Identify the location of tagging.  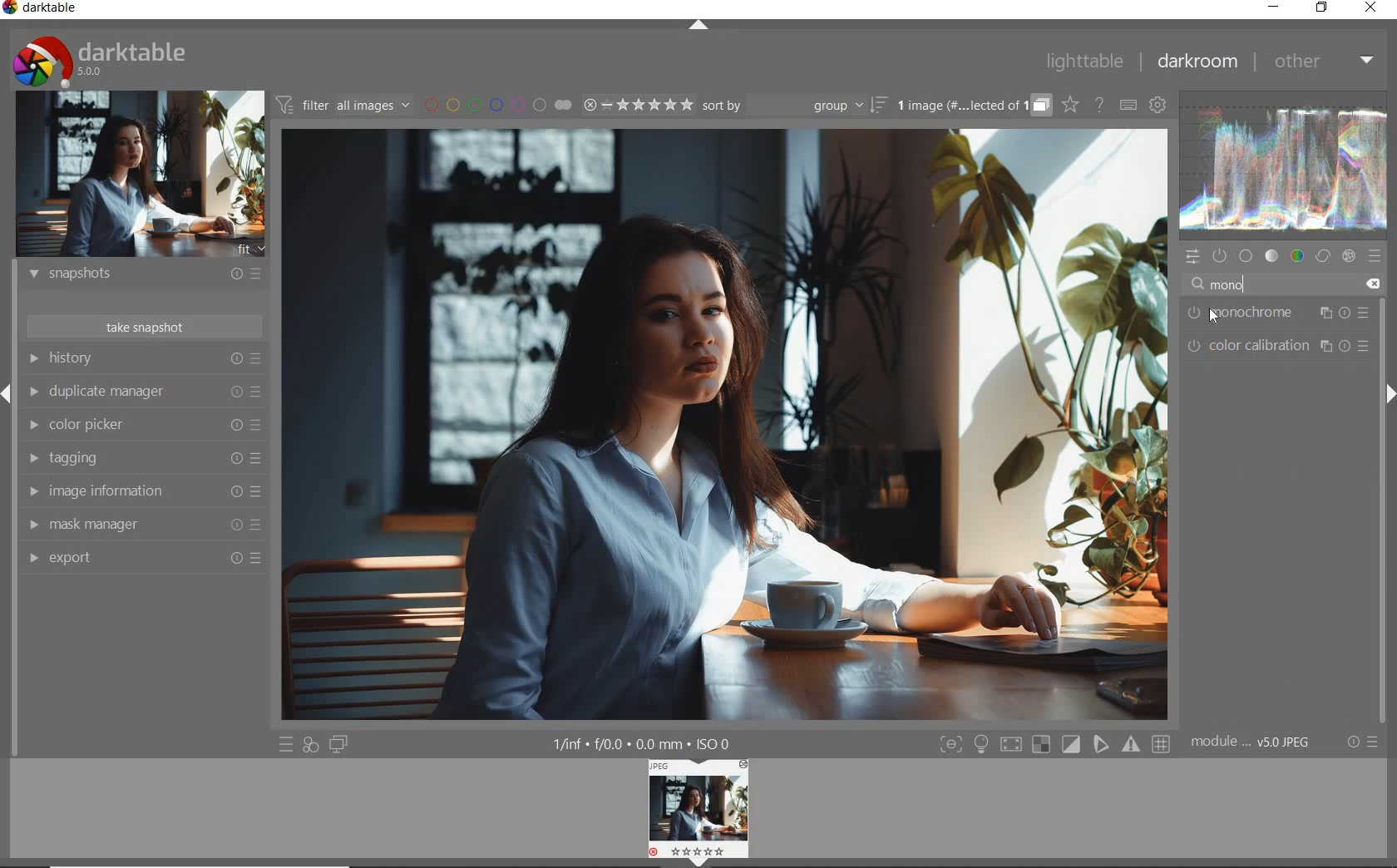
(141, 457).